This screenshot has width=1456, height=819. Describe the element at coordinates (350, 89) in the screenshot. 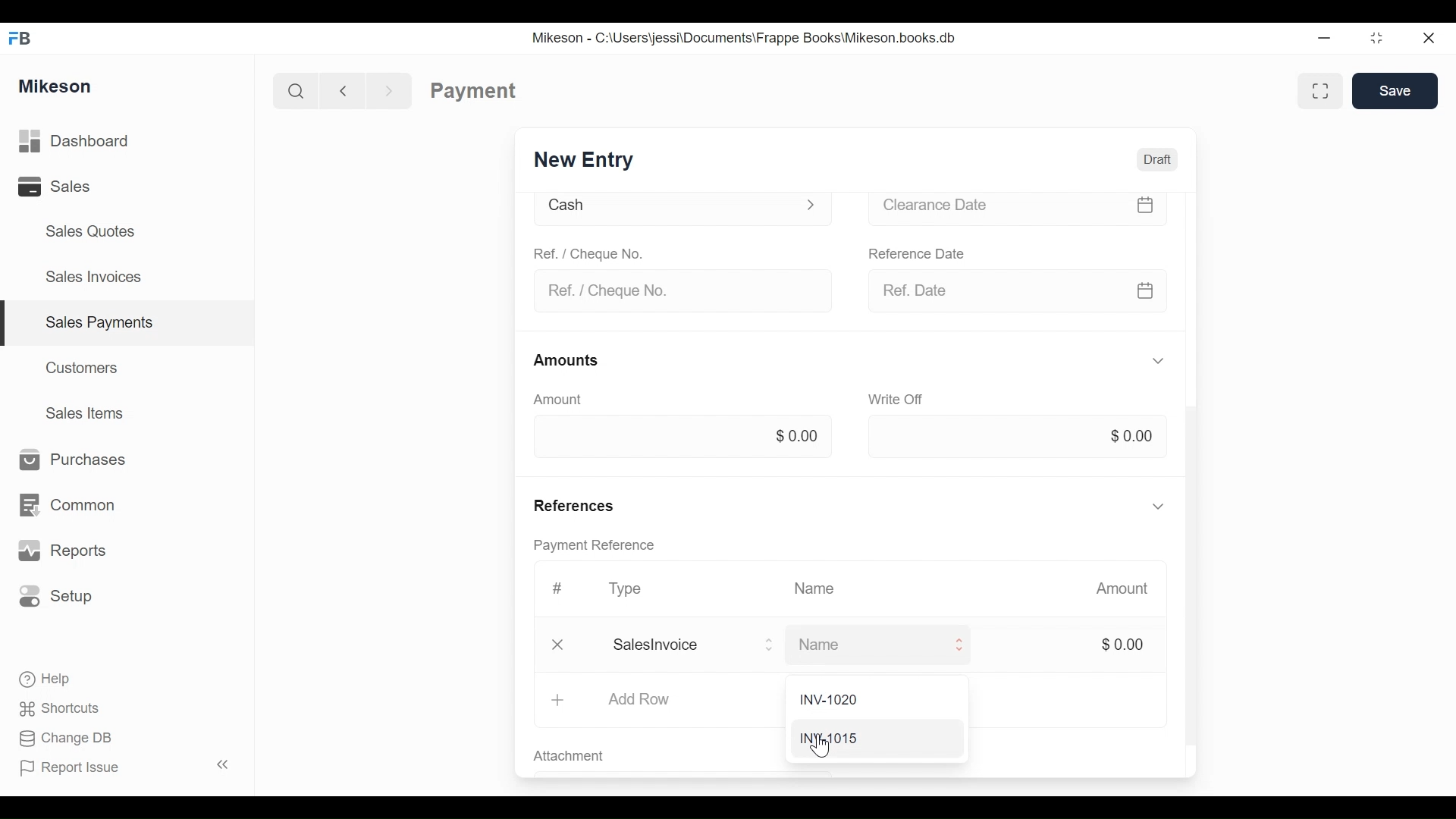

I see `Back` at that location.